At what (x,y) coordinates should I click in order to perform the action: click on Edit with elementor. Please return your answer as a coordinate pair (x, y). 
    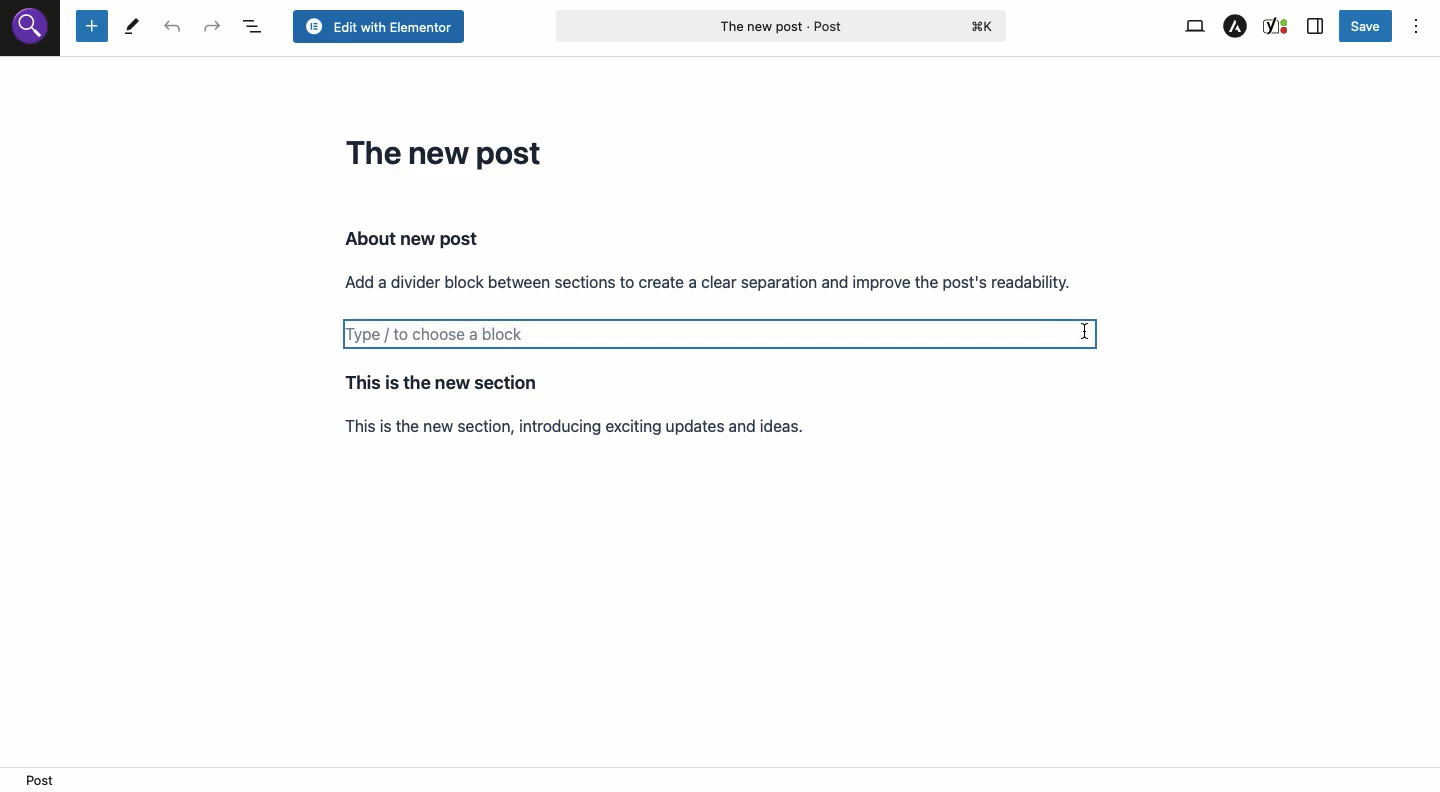
    Looking at the image, I should click on (377, 27).